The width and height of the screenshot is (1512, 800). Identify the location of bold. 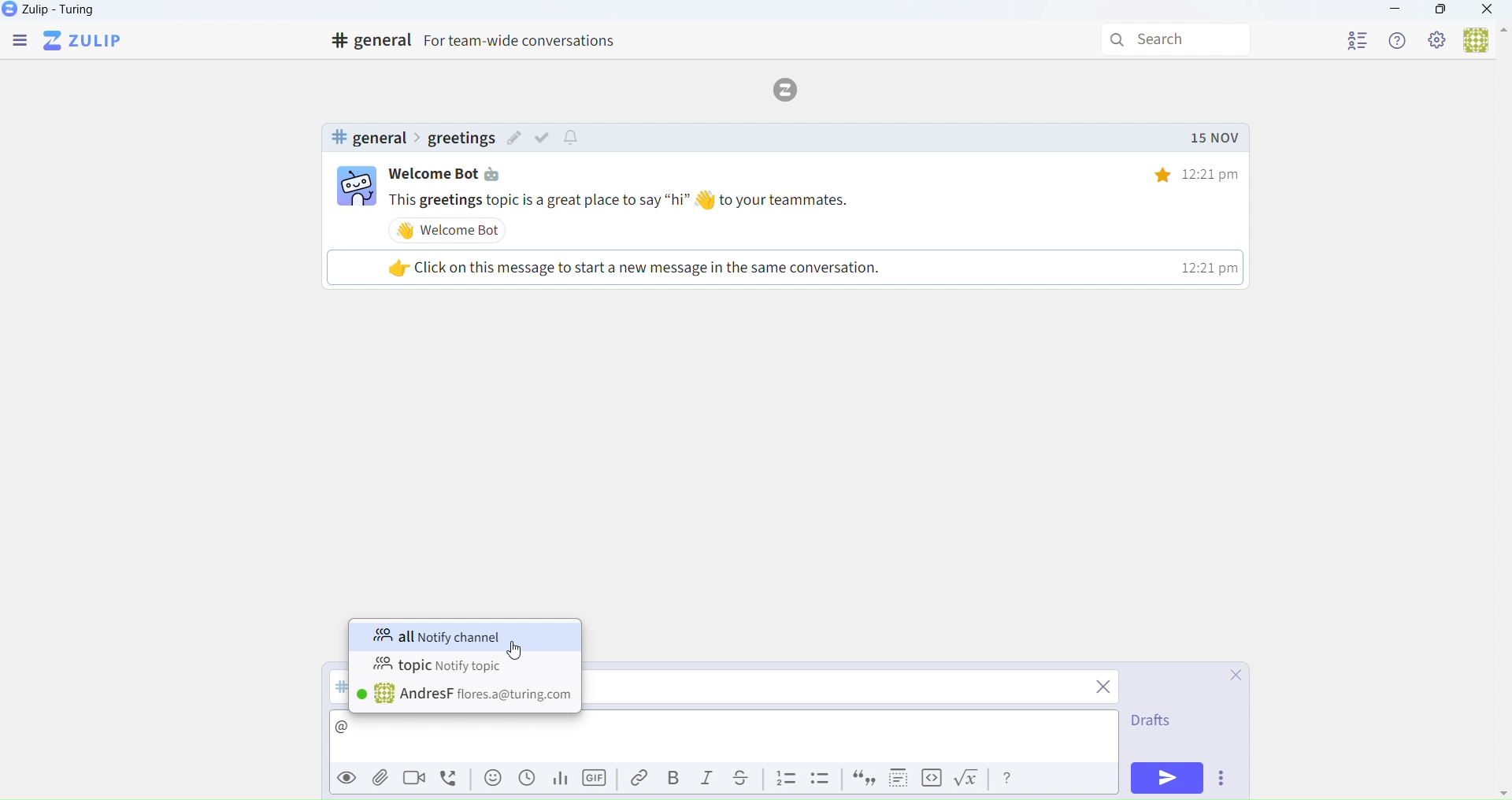
(673, 776).